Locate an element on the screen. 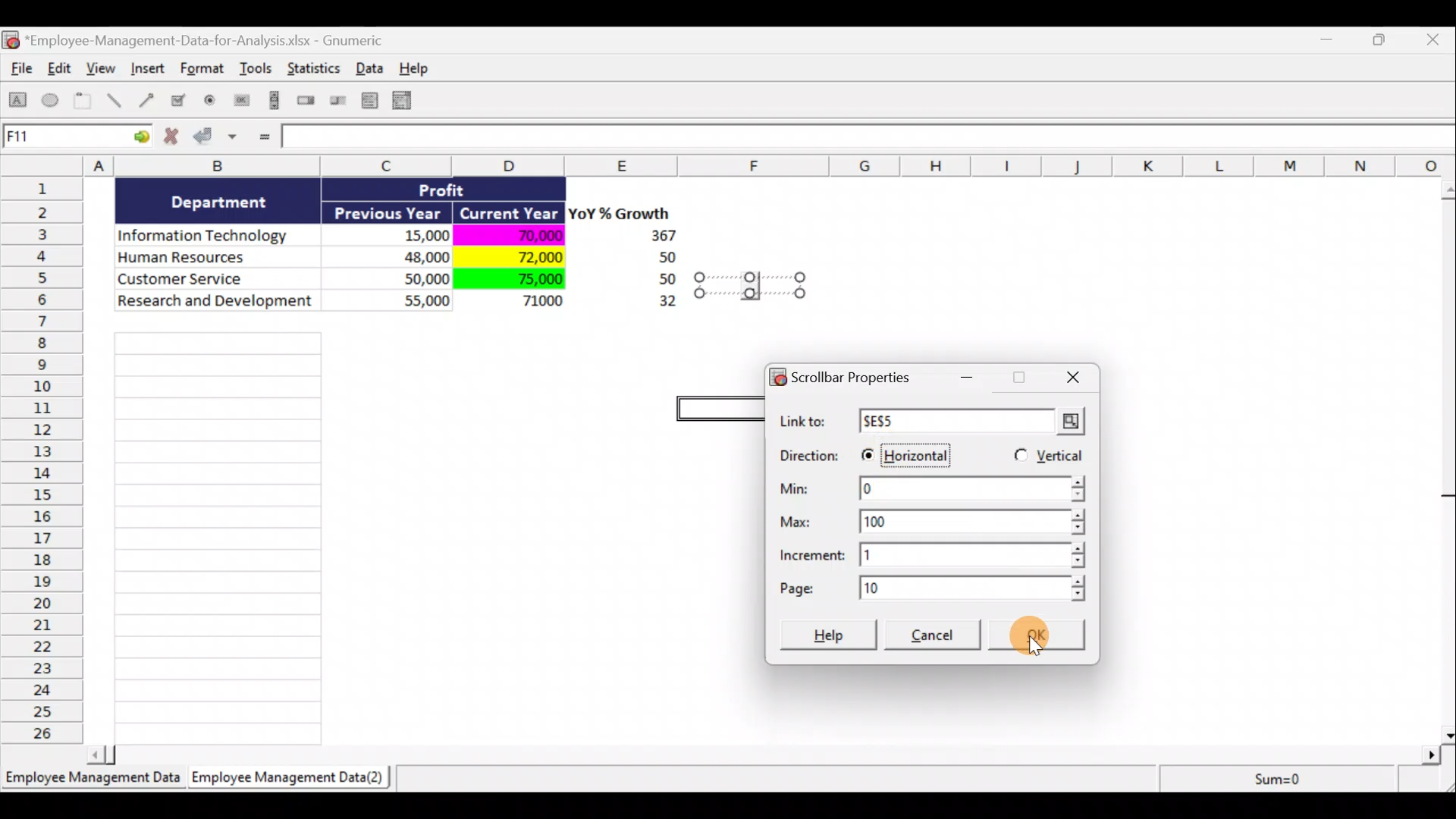 Image resolution: width=1456 pixels, height=819 pixels. Cell allocation is located at coordinates (77, 139).